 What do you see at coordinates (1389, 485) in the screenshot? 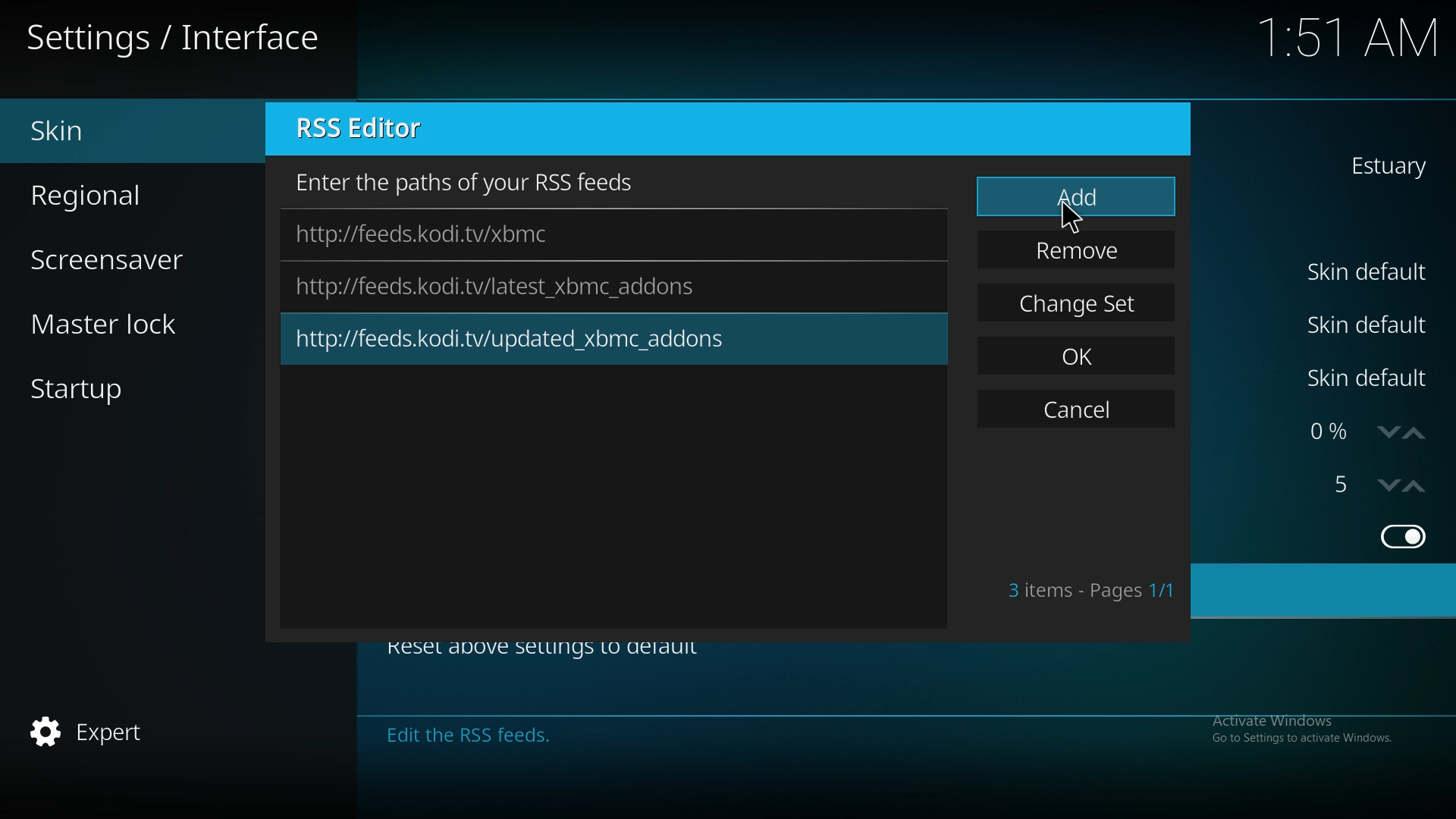
I see `decrease stereoscopic 3d effect strength` at bounding box center [1389, 485].